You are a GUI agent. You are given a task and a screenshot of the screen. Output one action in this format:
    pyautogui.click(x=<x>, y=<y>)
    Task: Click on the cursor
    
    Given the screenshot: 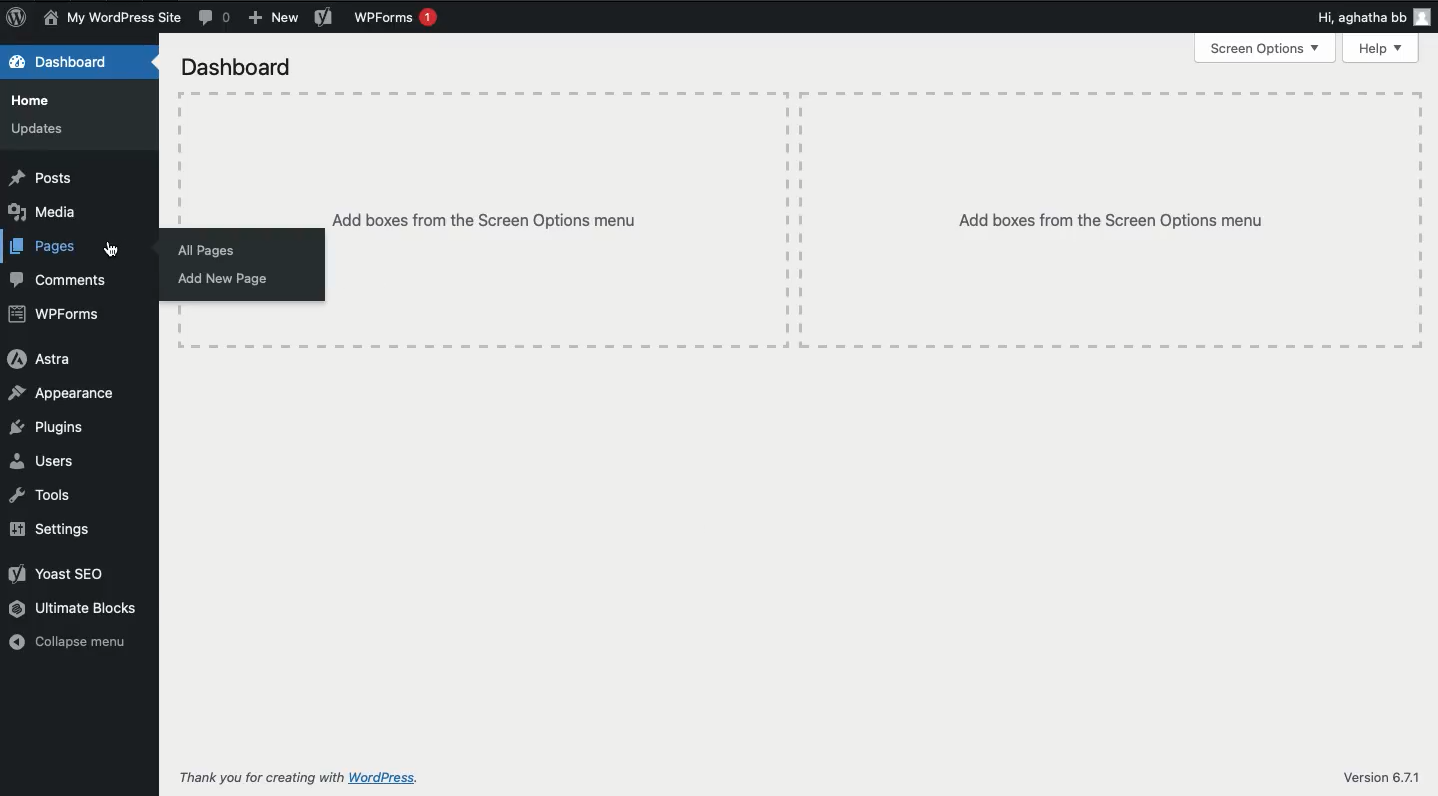 What is the action you would take?
    pyautogui.click(x=113, y=248)
    